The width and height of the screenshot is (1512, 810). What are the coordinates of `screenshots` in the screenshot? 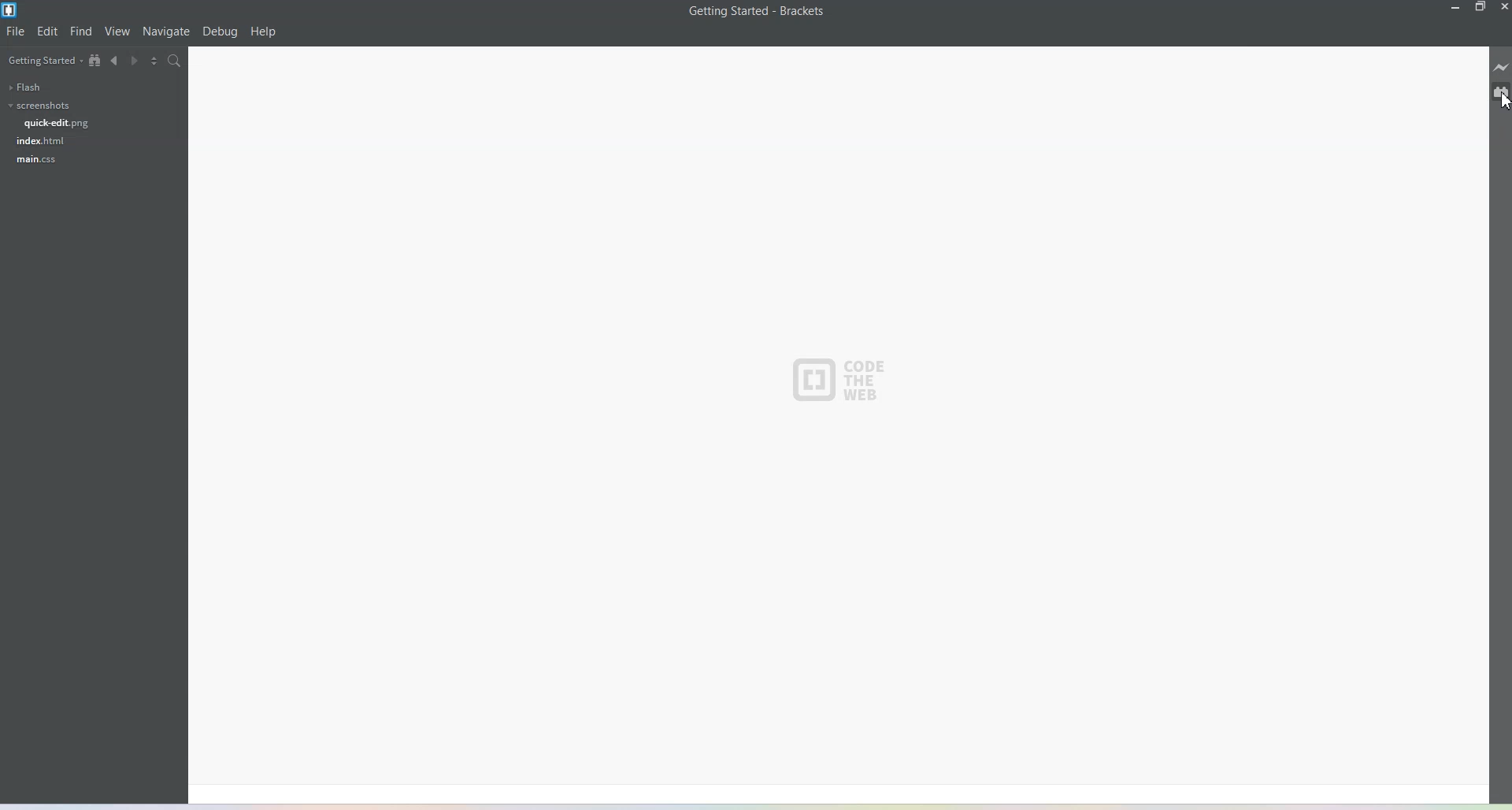 It's located at (38, 106).